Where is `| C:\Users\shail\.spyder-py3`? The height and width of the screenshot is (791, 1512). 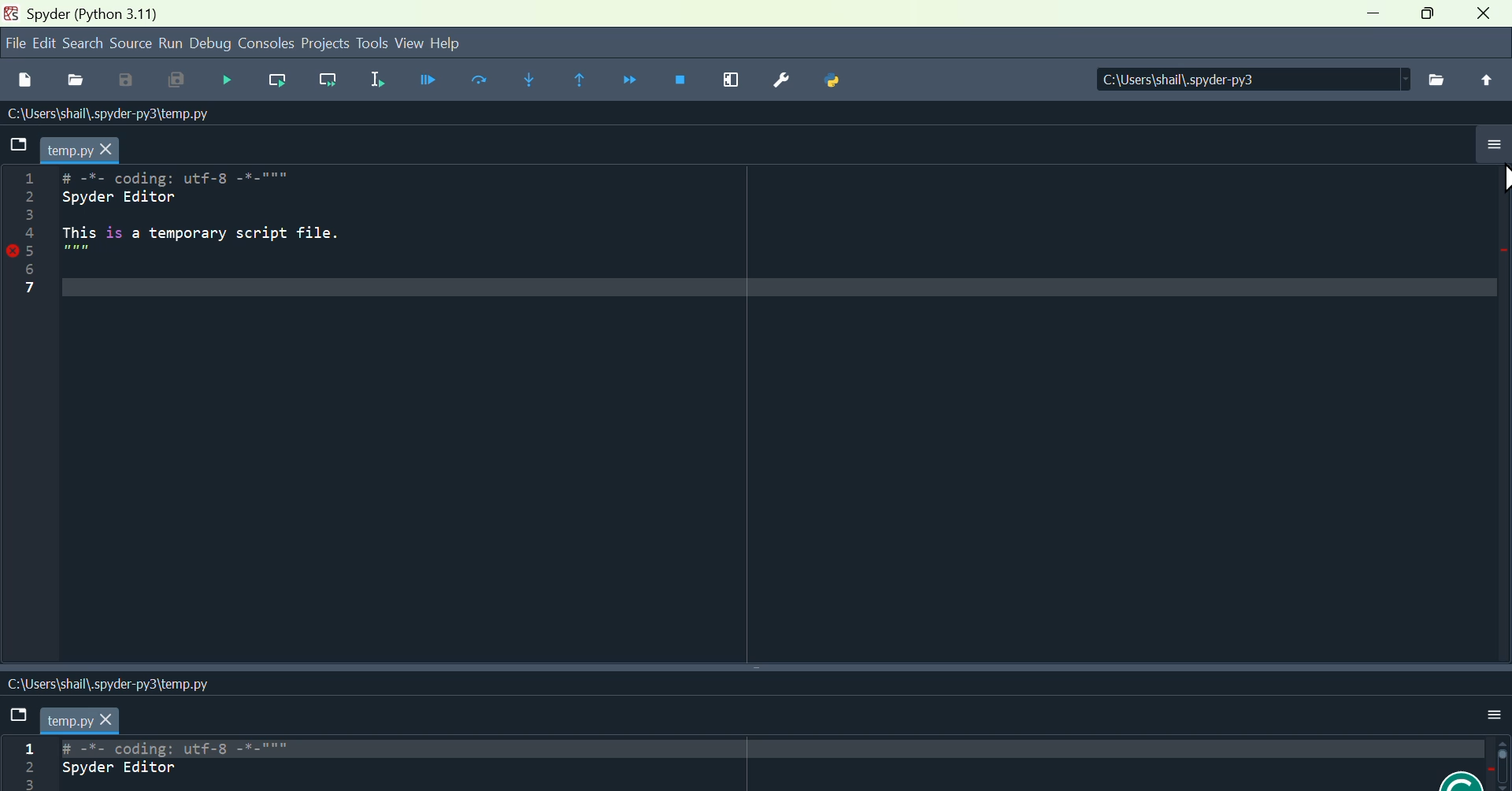 | C:\Users\shail\.spyder-py3 is located at coordinates (1246, 80).